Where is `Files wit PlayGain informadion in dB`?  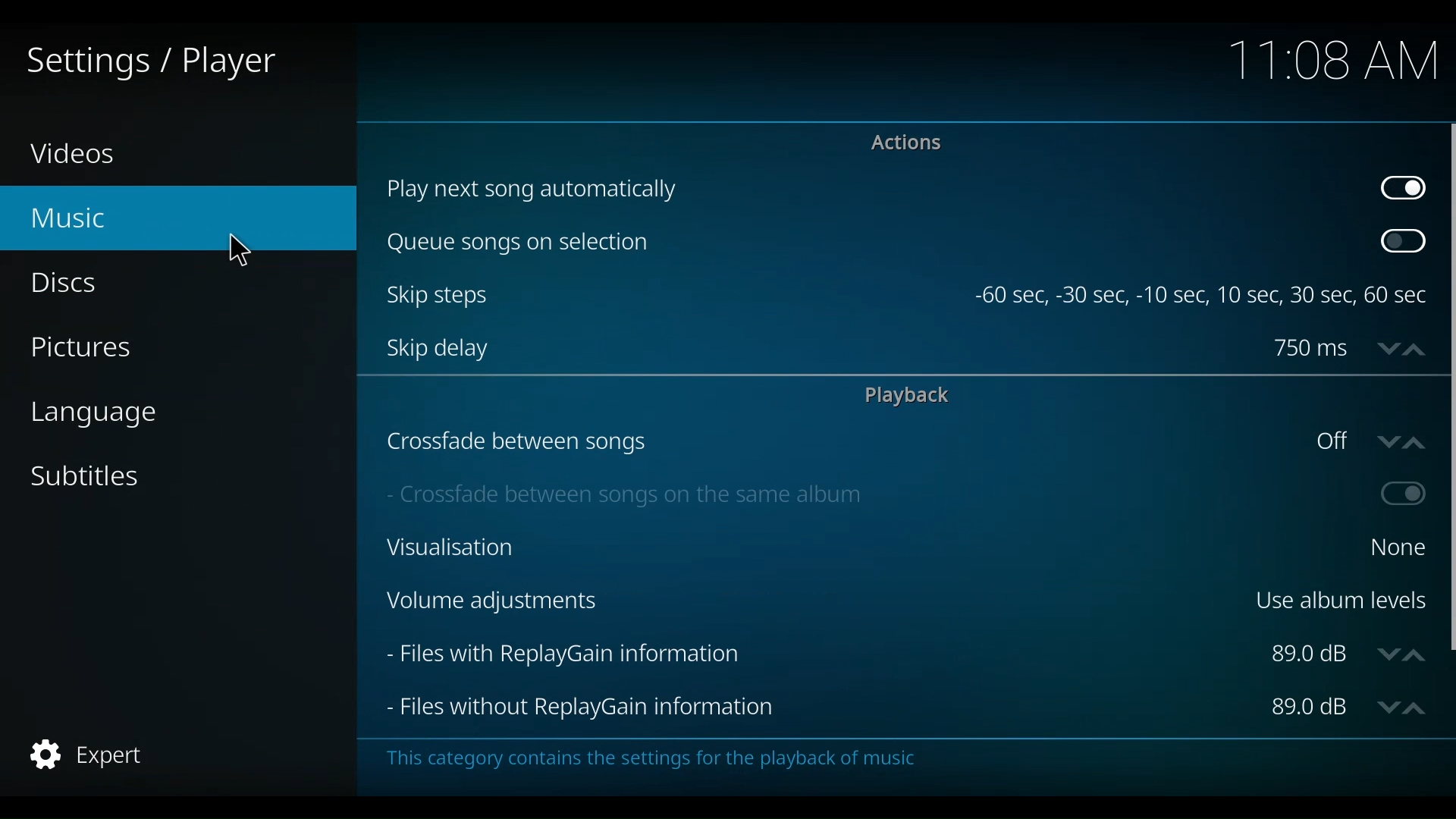 Files wit PlayGain informadion in dB is located at coordinates (1311, 654).